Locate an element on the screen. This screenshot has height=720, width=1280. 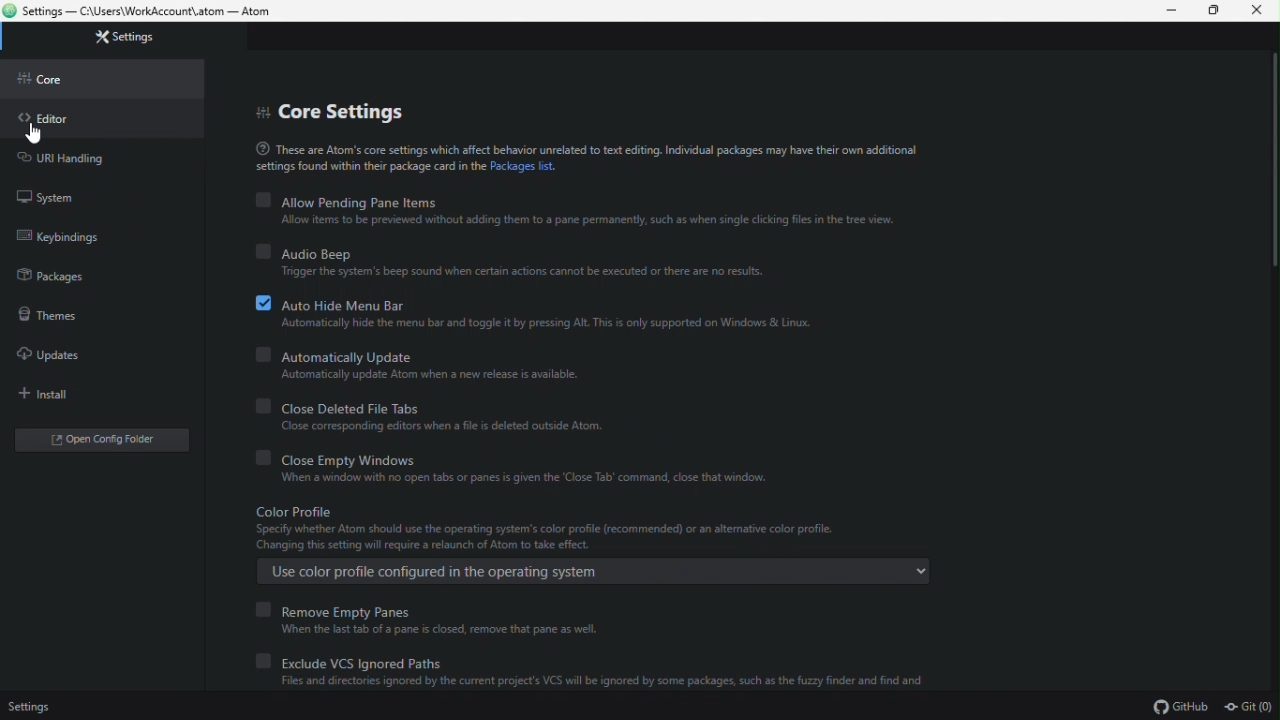
When the last tab of a pane is closed, remove that pane as well. is located at coordinates (460, 632).